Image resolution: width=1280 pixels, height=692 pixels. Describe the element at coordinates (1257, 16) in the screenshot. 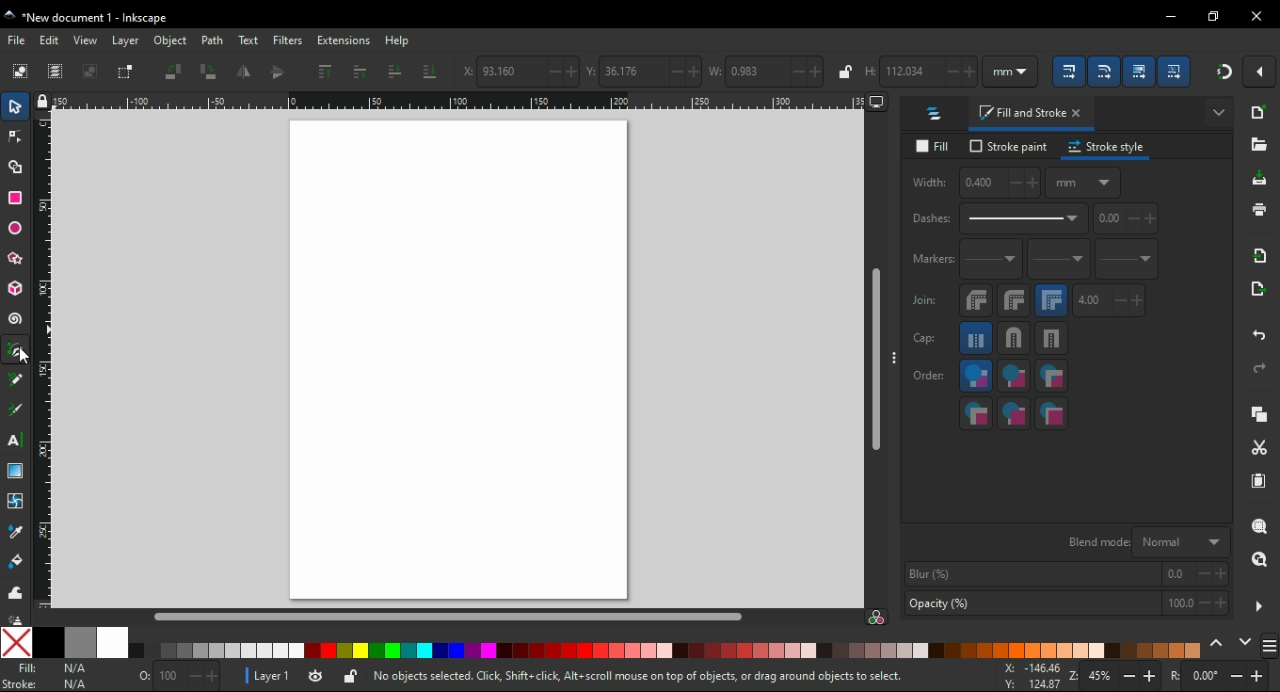

I see `close window` at that location.